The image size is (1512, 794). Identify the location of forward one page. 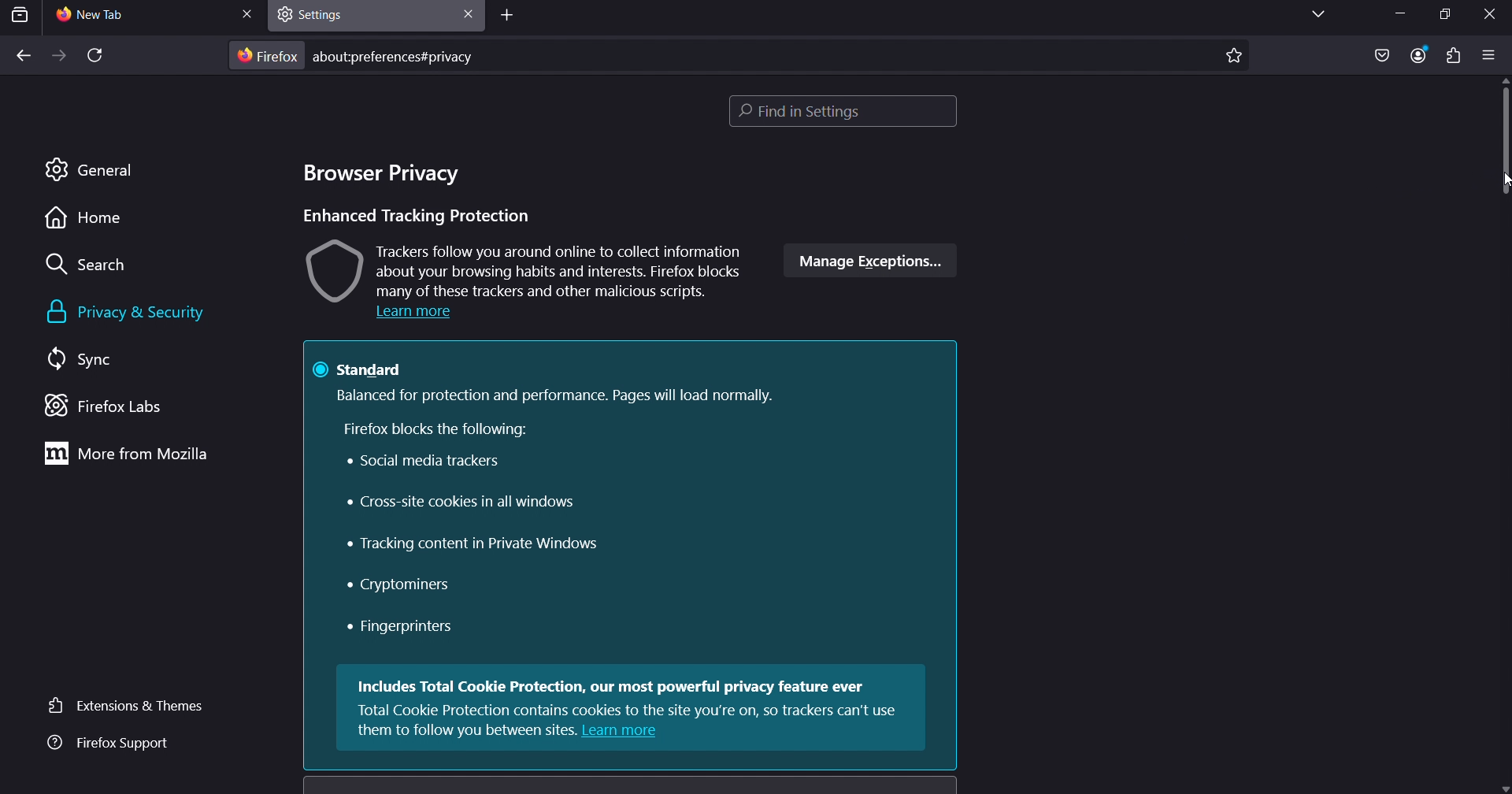
(57, 57).